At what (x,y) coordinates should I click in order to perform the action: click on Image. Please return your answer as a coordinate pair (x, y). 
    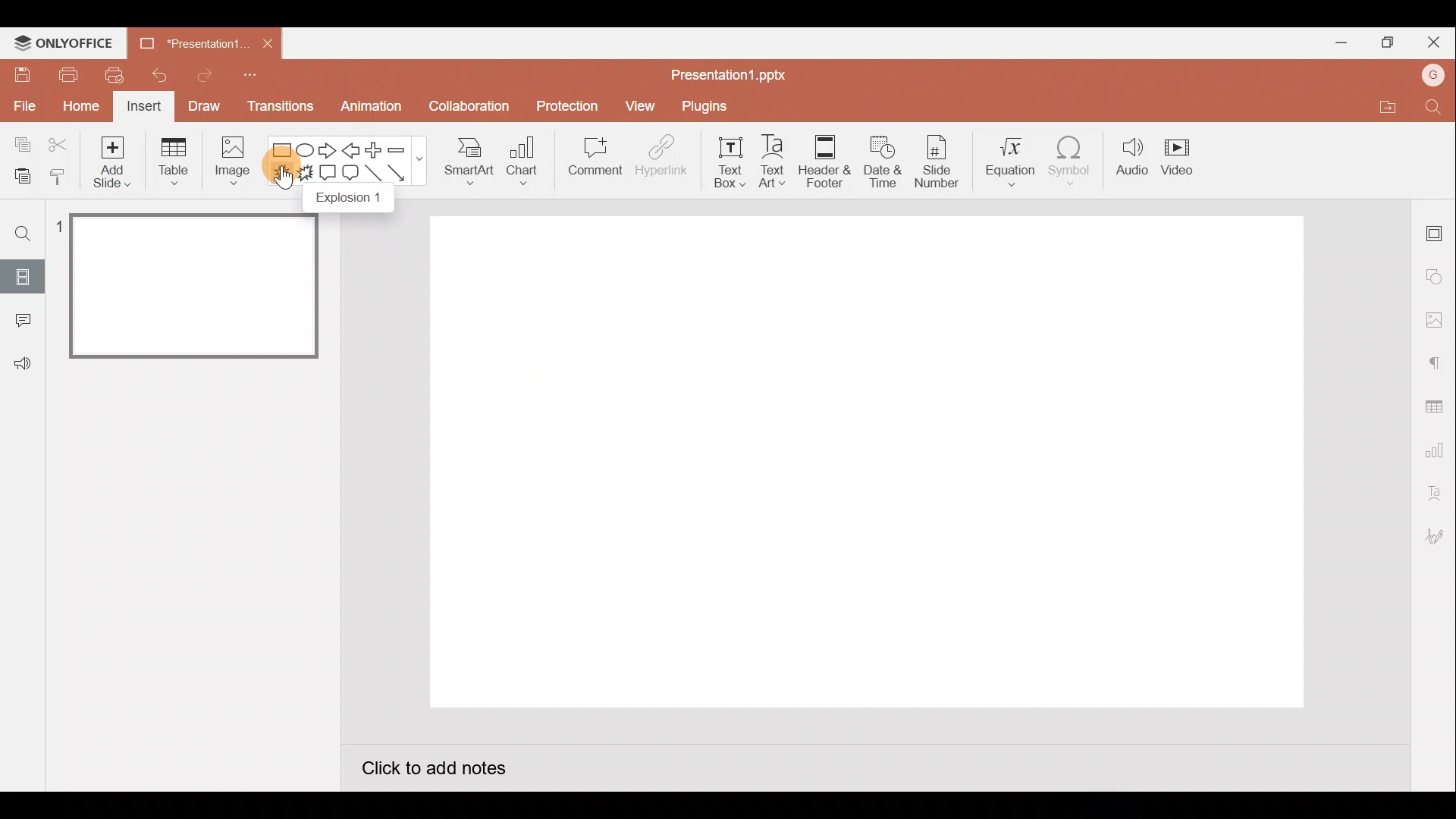
    Looking at the image, I should click on (237, 162).